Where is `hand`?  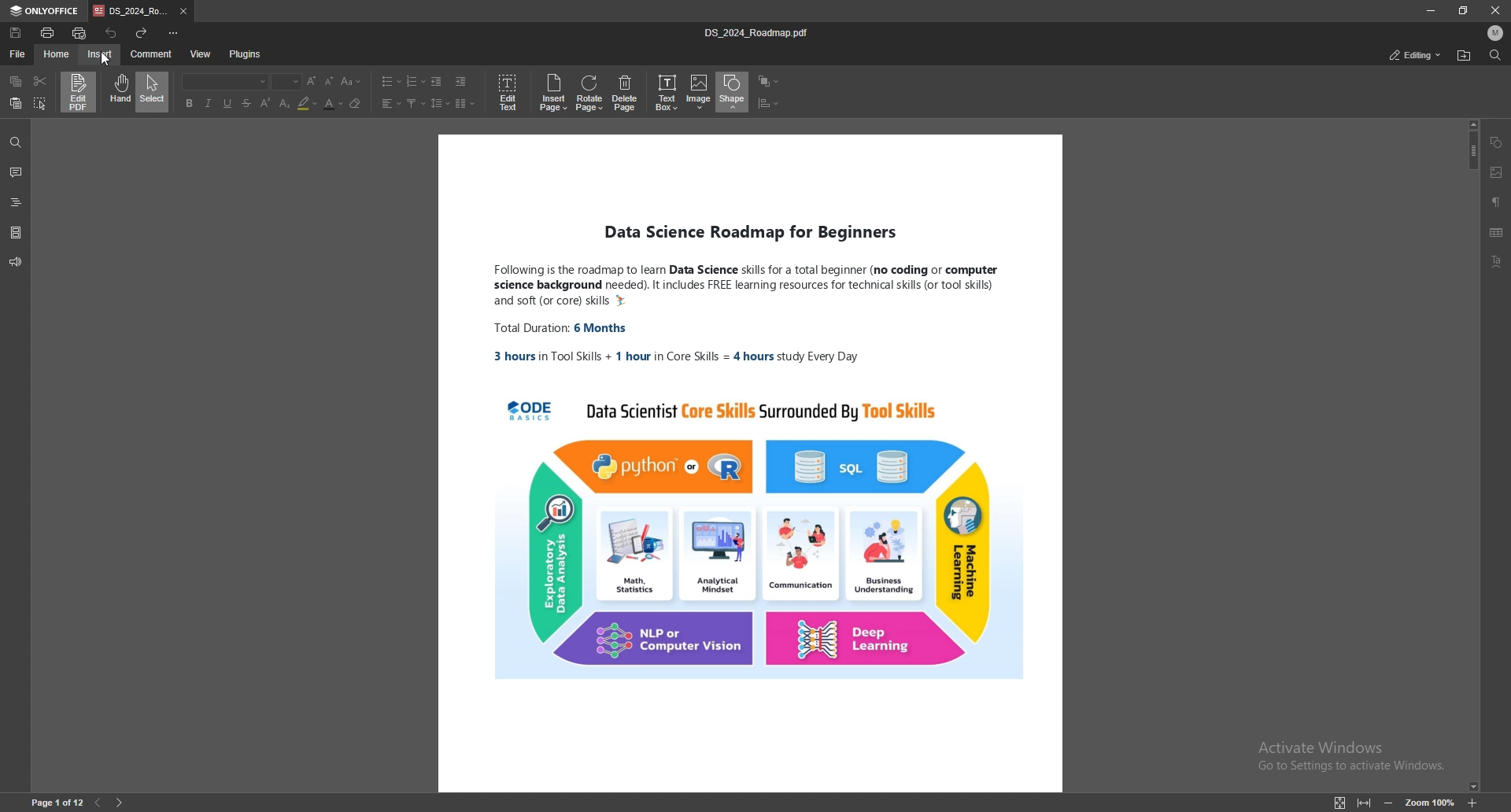
hand is located at coordinates (117, 92).